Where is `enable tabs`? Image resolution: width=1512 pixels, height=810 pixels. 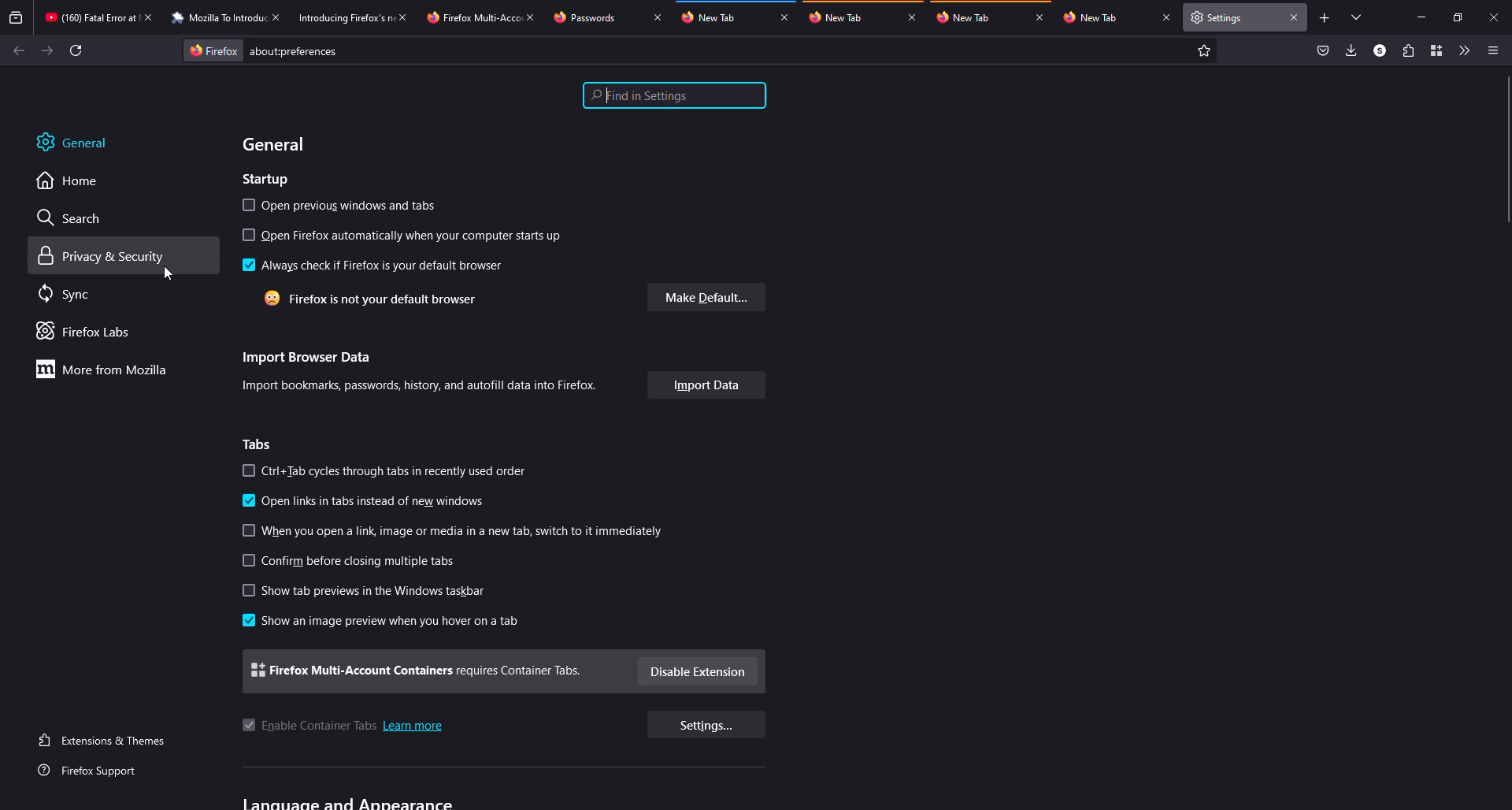
enable tabs is located at coordinates (308, 726).